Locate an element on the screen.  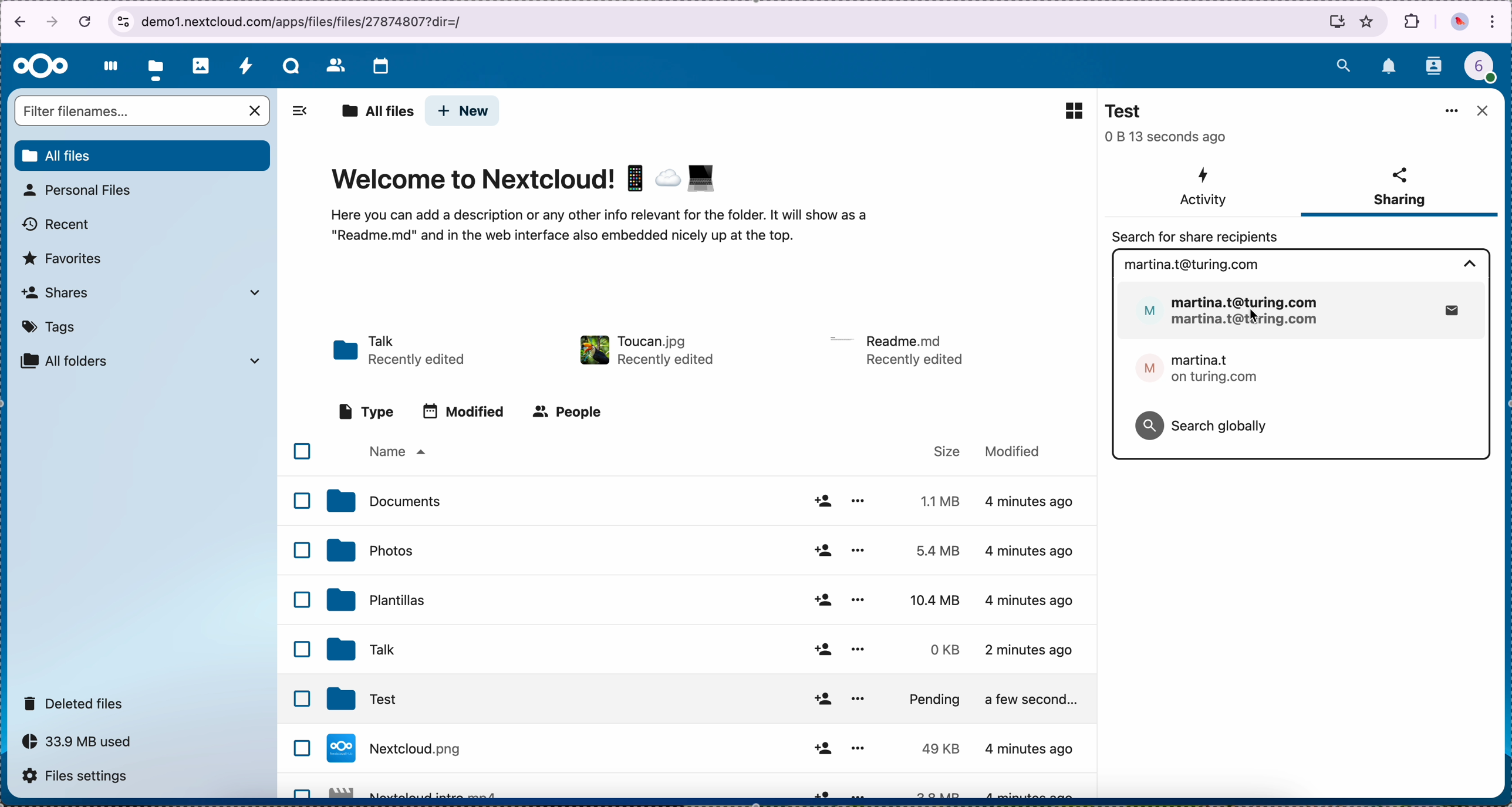
click on new button is located at coordinates (463, 112).